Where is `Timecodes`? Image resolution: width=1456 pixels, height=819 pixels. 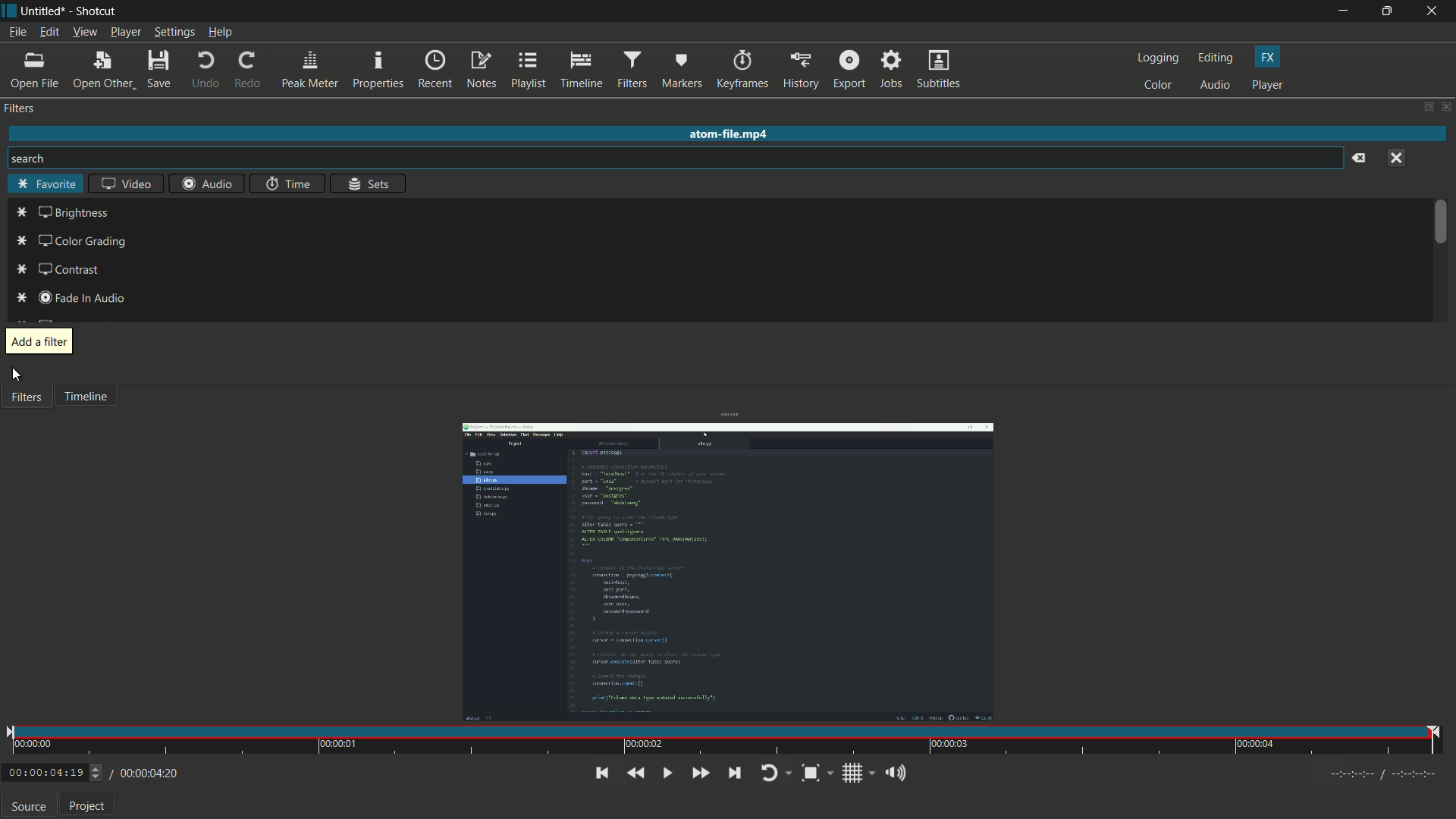 Timecodes is located at coordinates (1376, 777).